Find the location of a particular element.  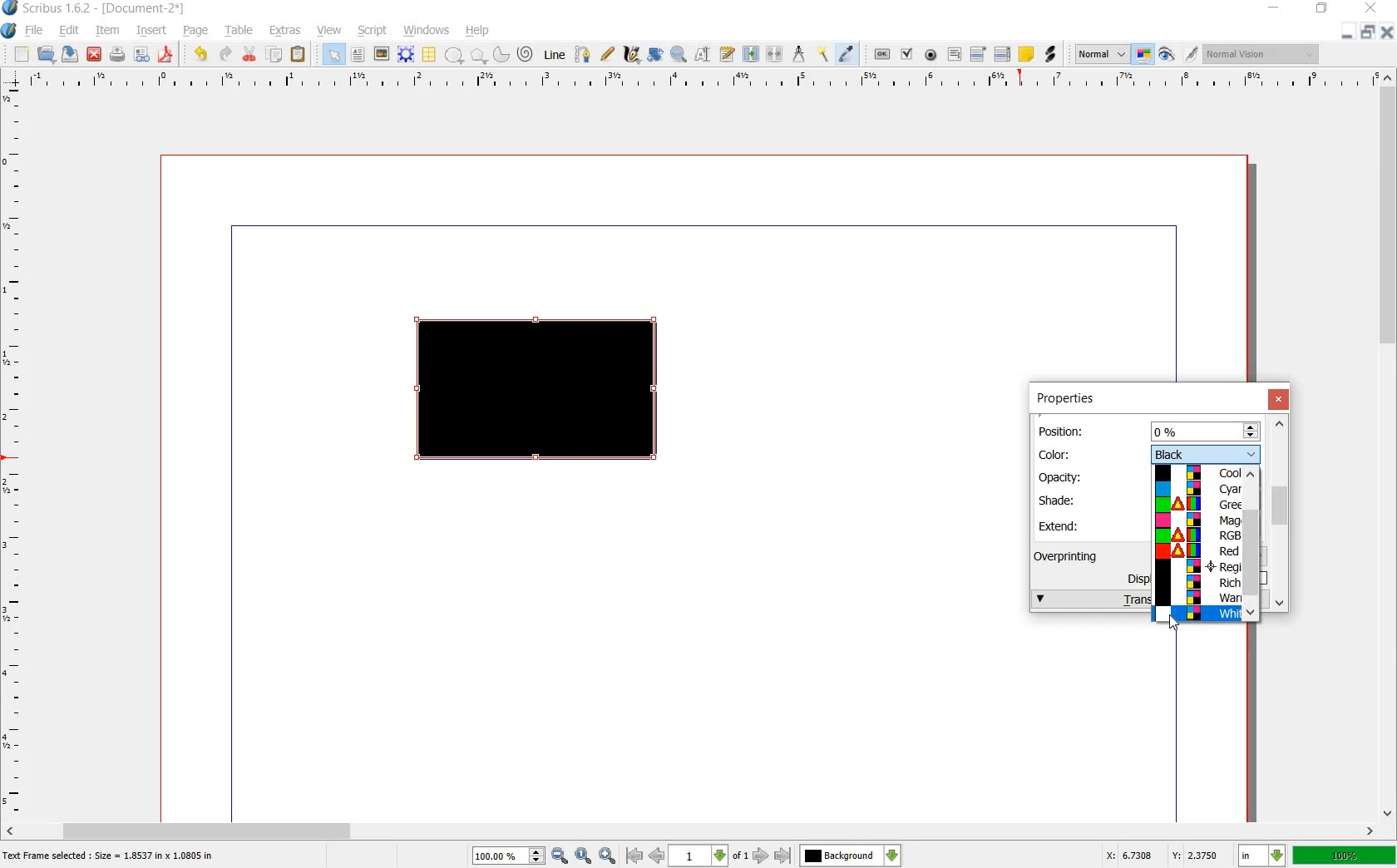

unlink text frame is located at coordinates (776, 55).